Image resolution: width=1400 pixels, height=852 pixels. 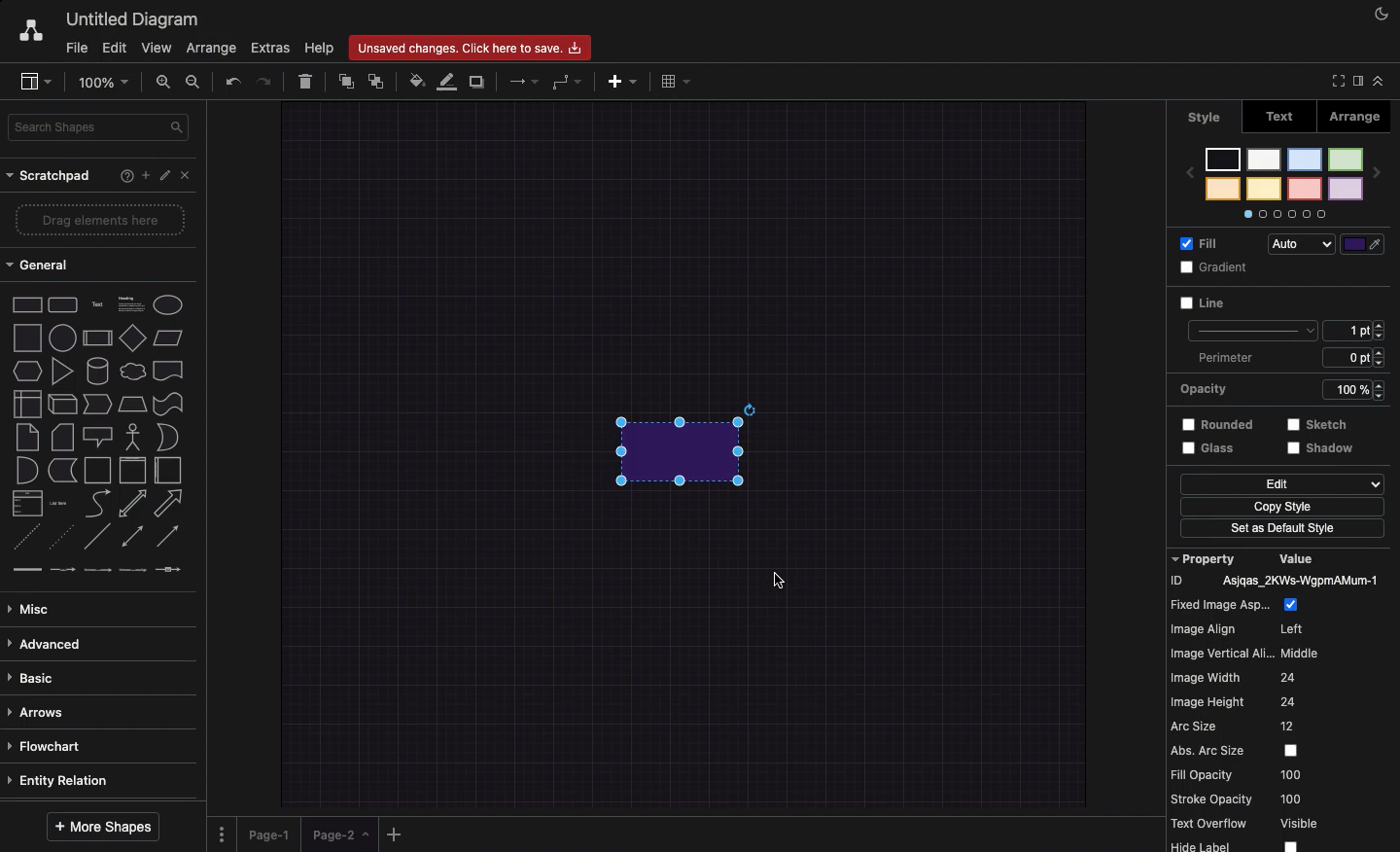 What do you see at coordinates (77, 46) in the screenshot?
I see `File` at bounding box center [77, 46].